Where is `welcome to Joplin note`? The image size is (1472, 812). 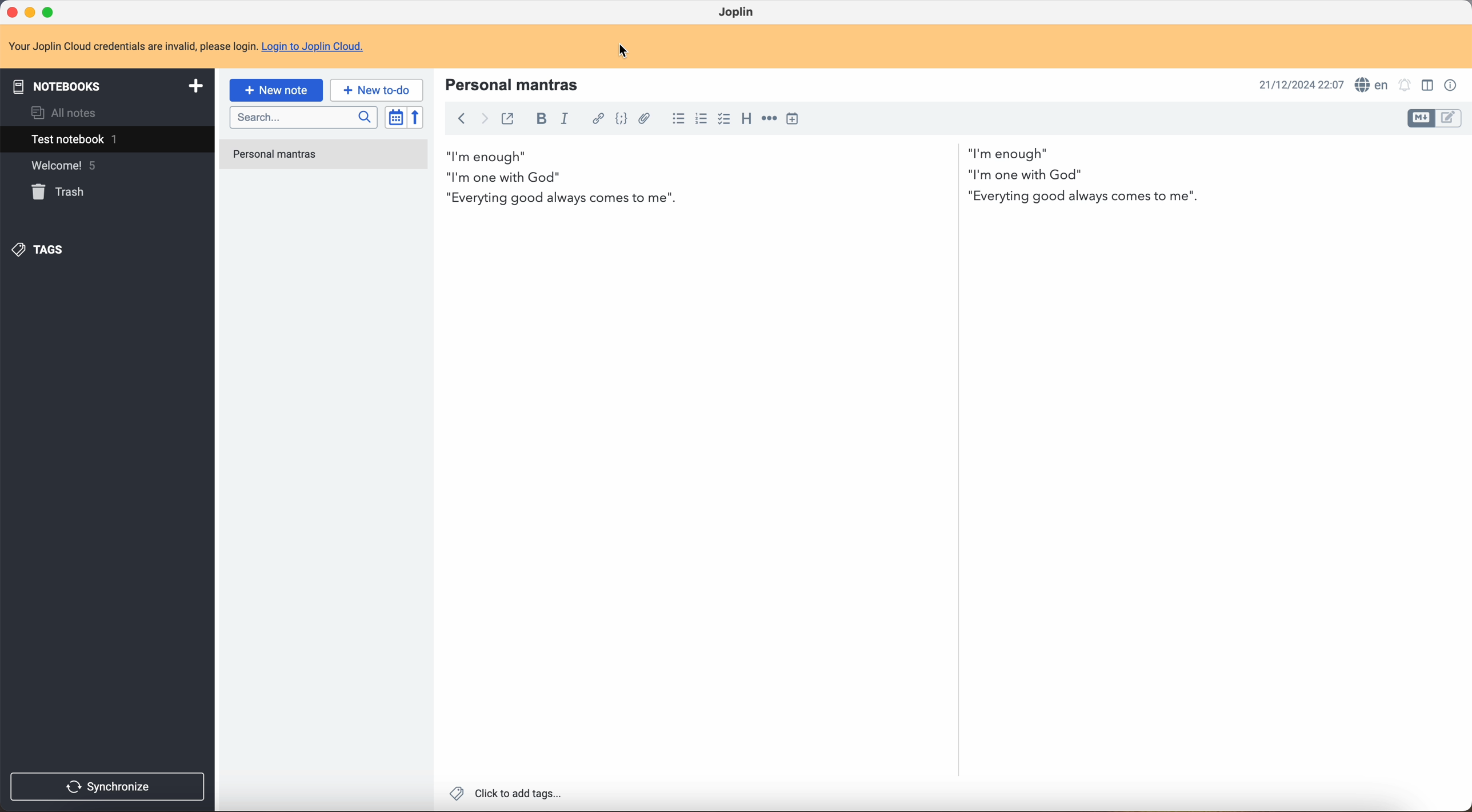
welcome to Joplin note is located at coordinates (301, 155).